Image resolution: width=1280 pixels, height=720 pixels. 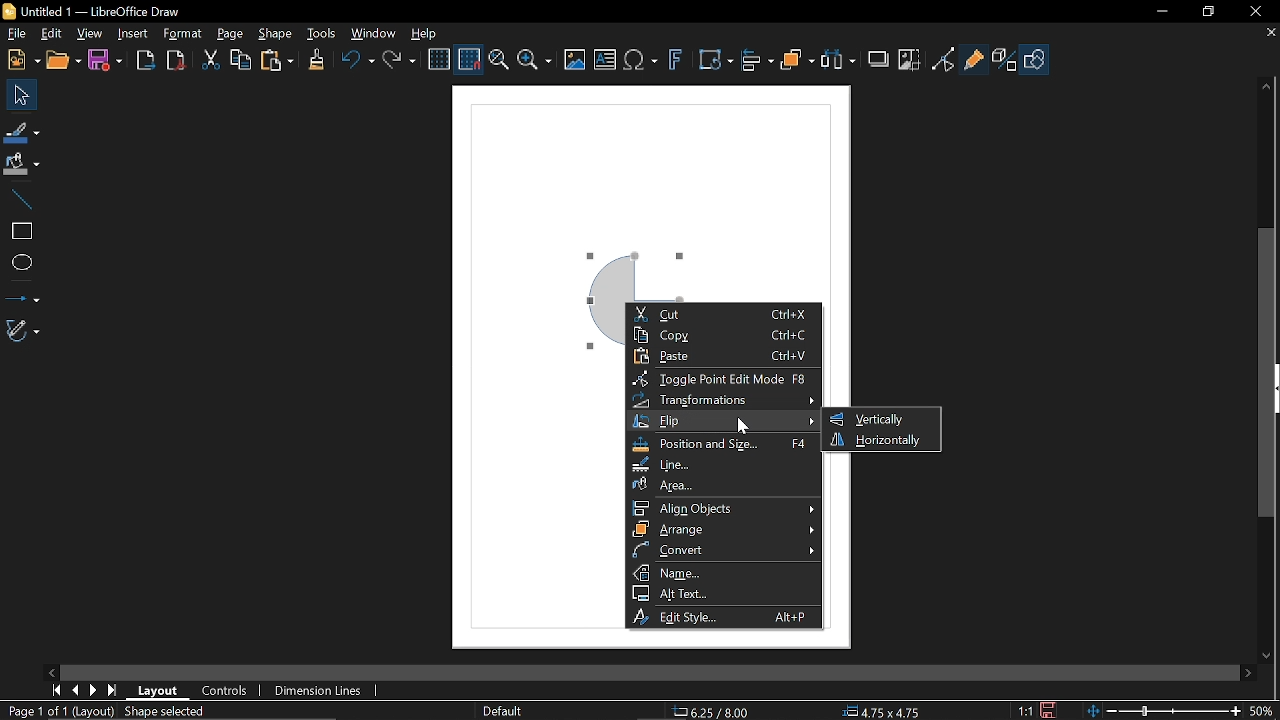 I want to click on Move left, so click(x=51, y=673).